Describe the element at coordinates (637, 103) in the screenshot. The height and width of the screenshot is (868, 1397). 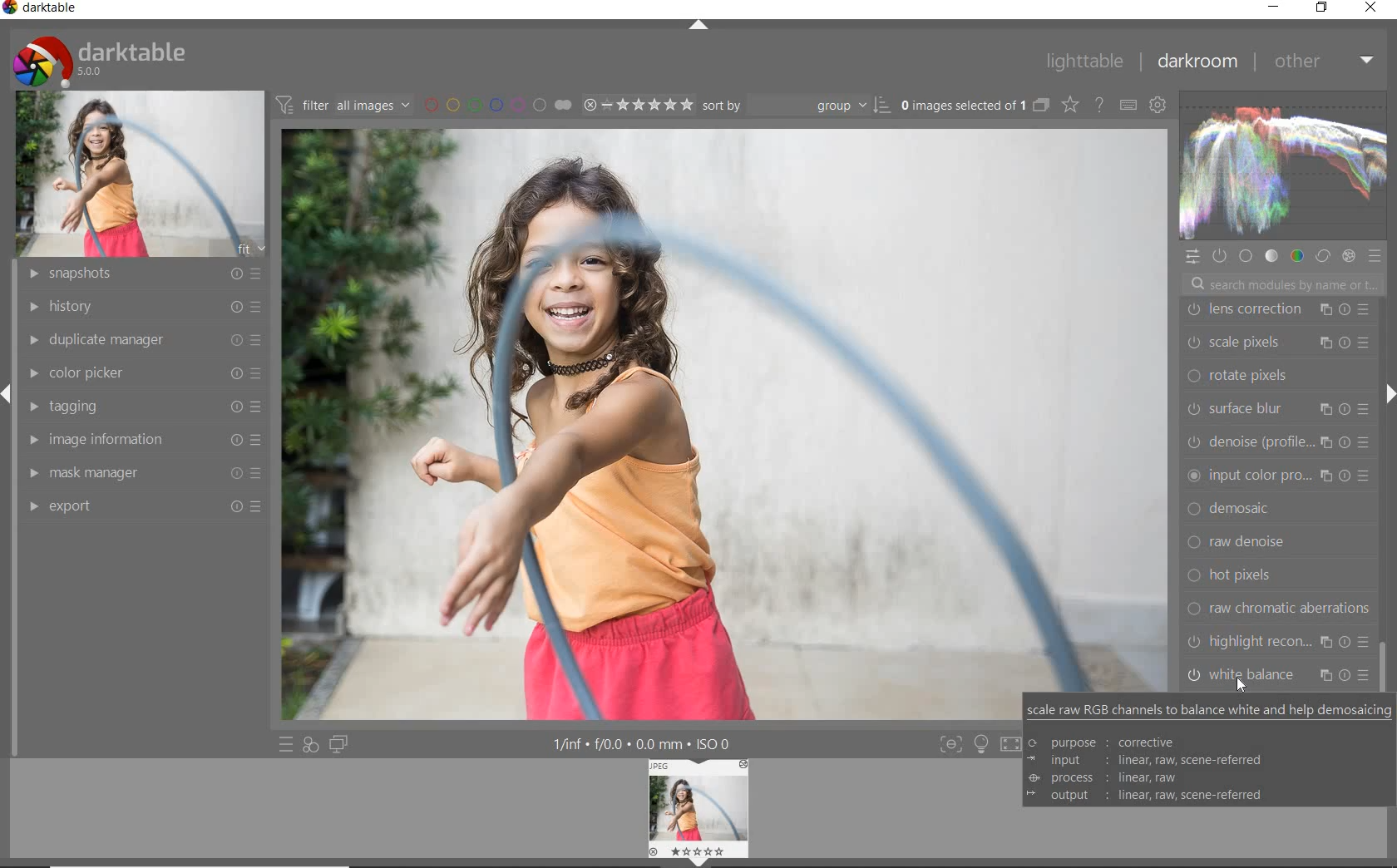
I see `selected image range rating` at that location.